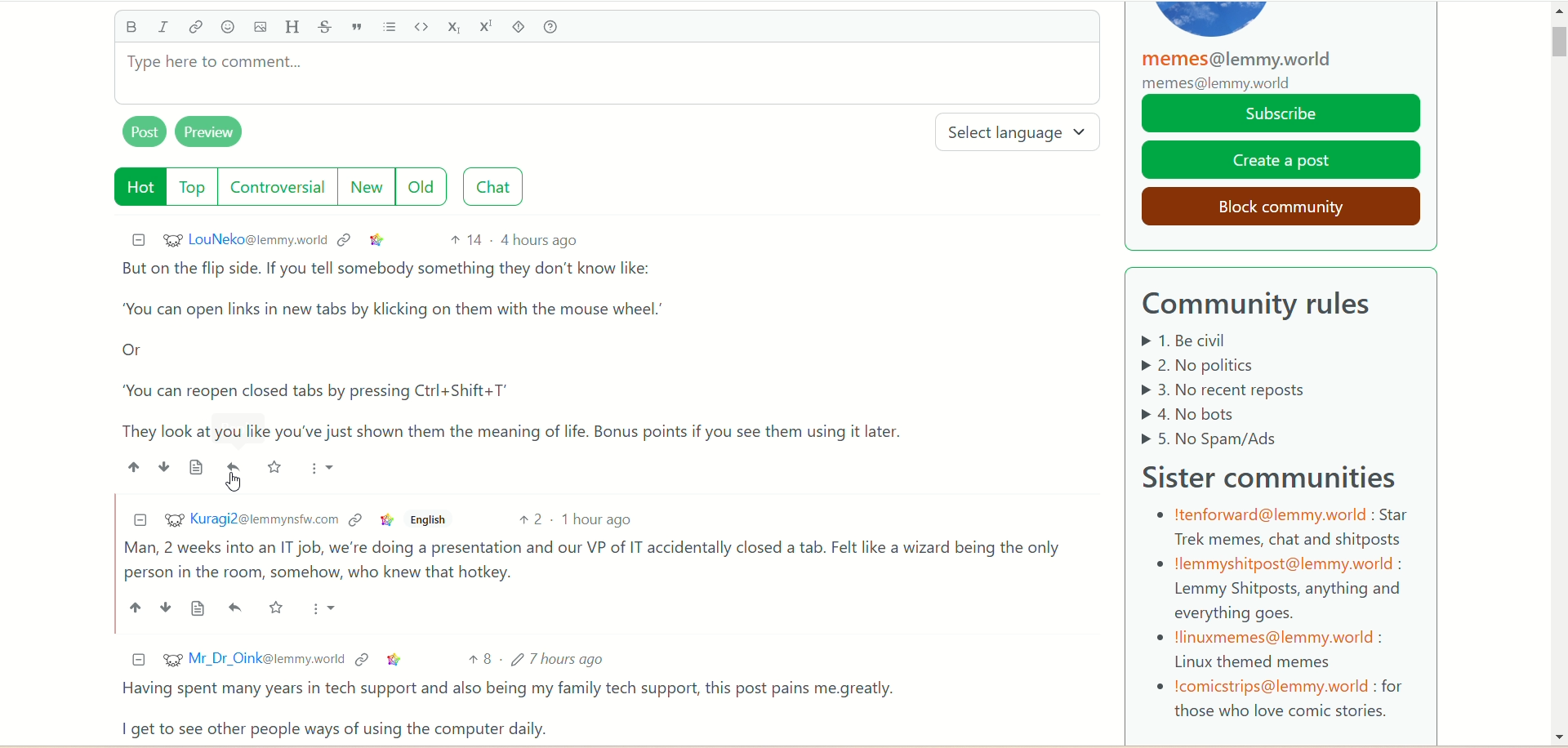 Image resolution: width=1568 pixels, height=748 pixels. Describe the element at coordinates (377, 239) in the screenshot. I see `link` at that location.